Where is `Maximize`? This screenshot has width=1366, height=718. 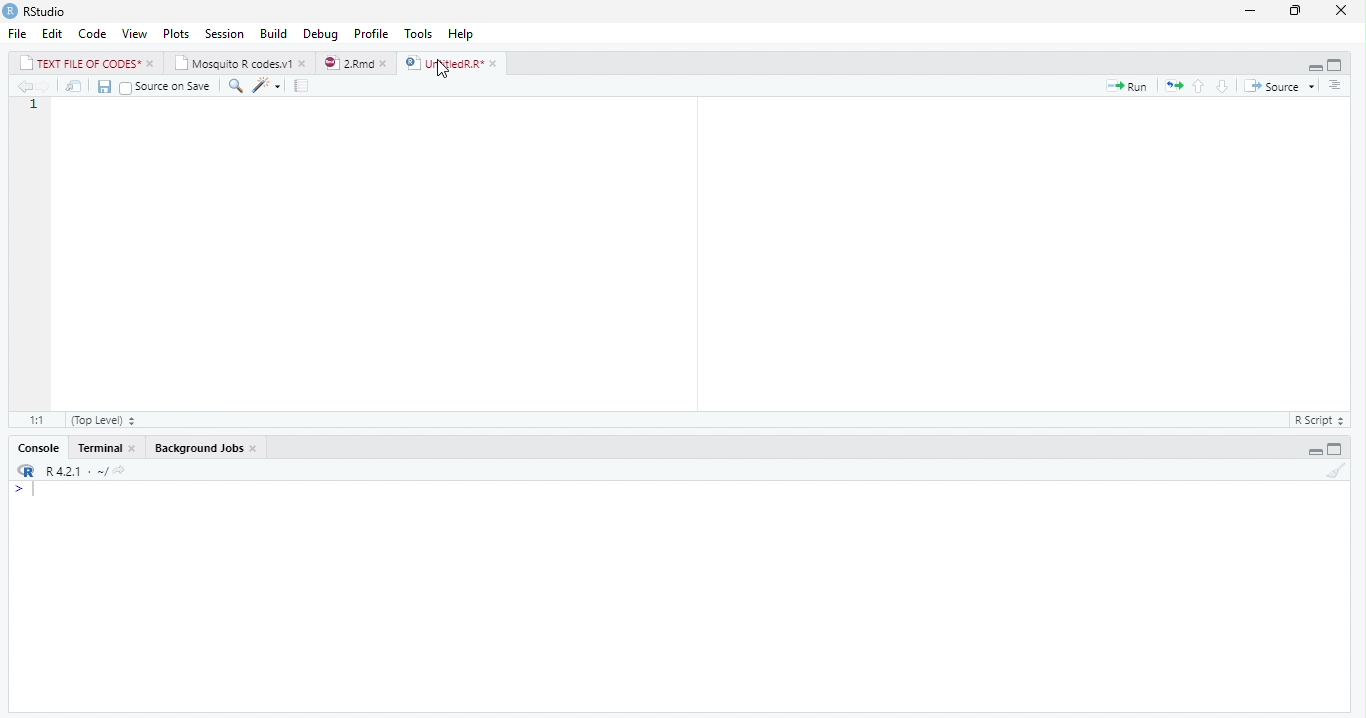
Maximize is located at coordinates (1296, 11).